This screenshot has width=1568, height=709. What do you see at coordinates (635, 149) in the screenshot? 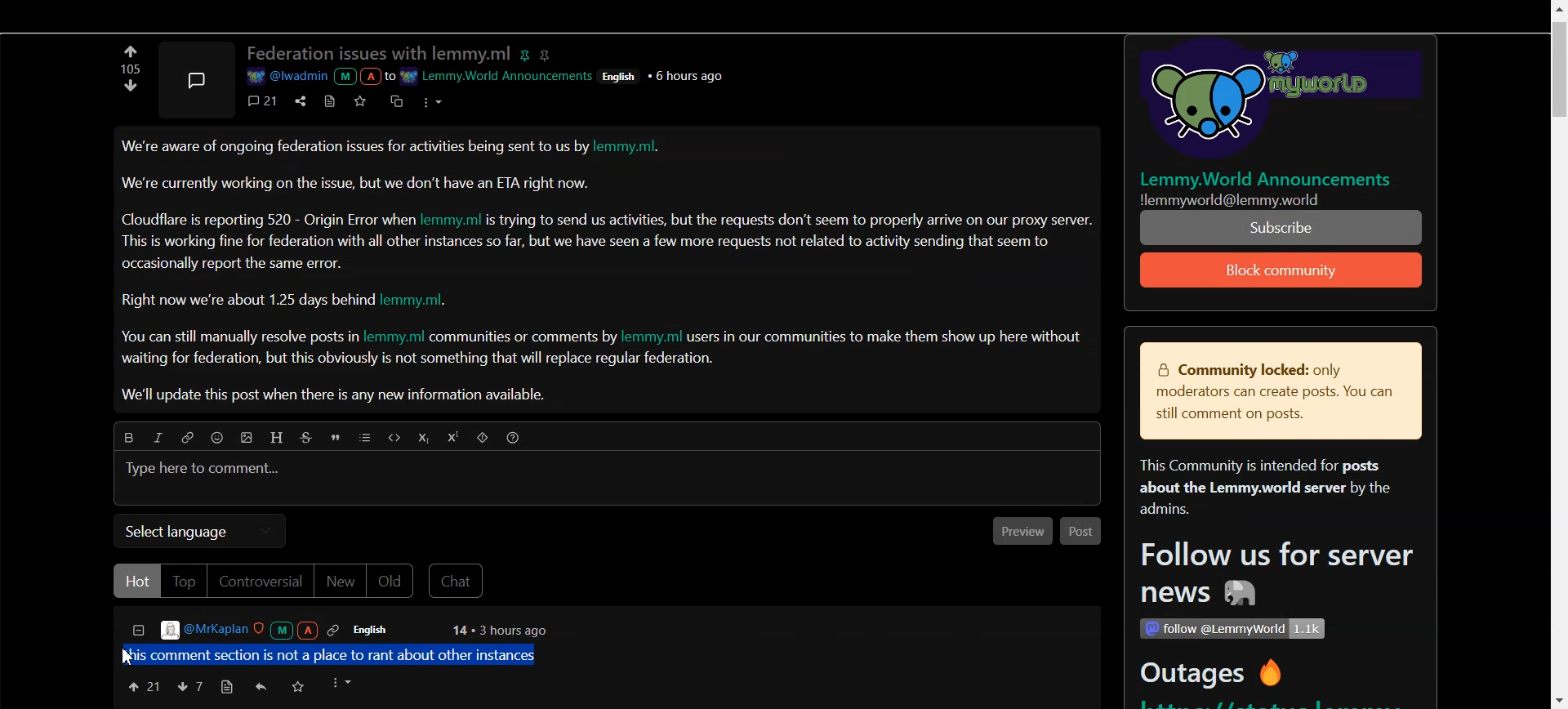
I see `lemmy.ml.` at bounding box center [635, 149].